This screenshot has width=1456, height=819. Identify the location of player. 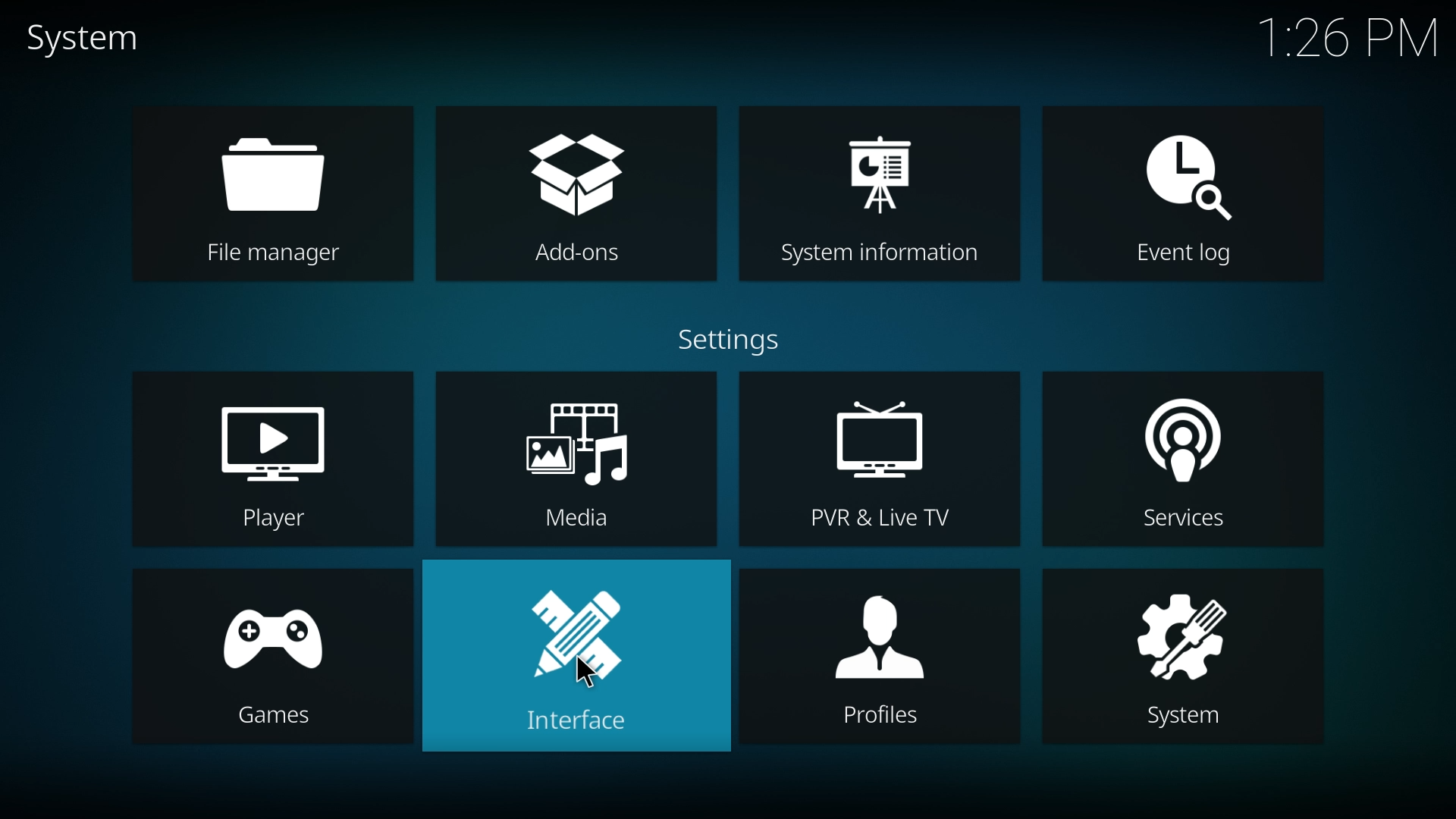
(270, 458).